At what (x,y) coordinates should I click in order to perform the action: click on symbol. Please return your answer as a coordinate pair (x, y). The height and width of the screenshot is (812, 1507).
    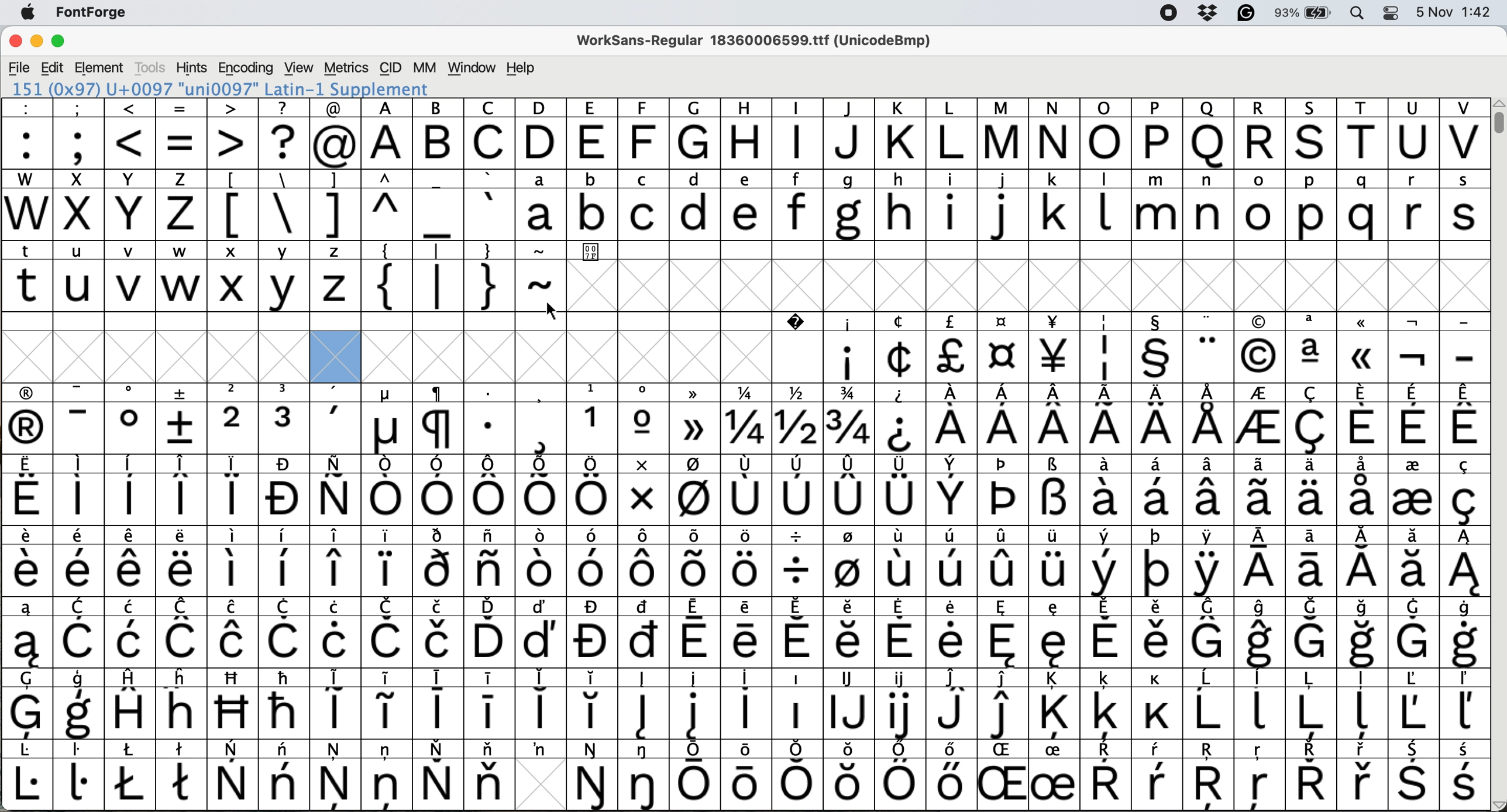
    Looking at the image, I should click on (489, 774).